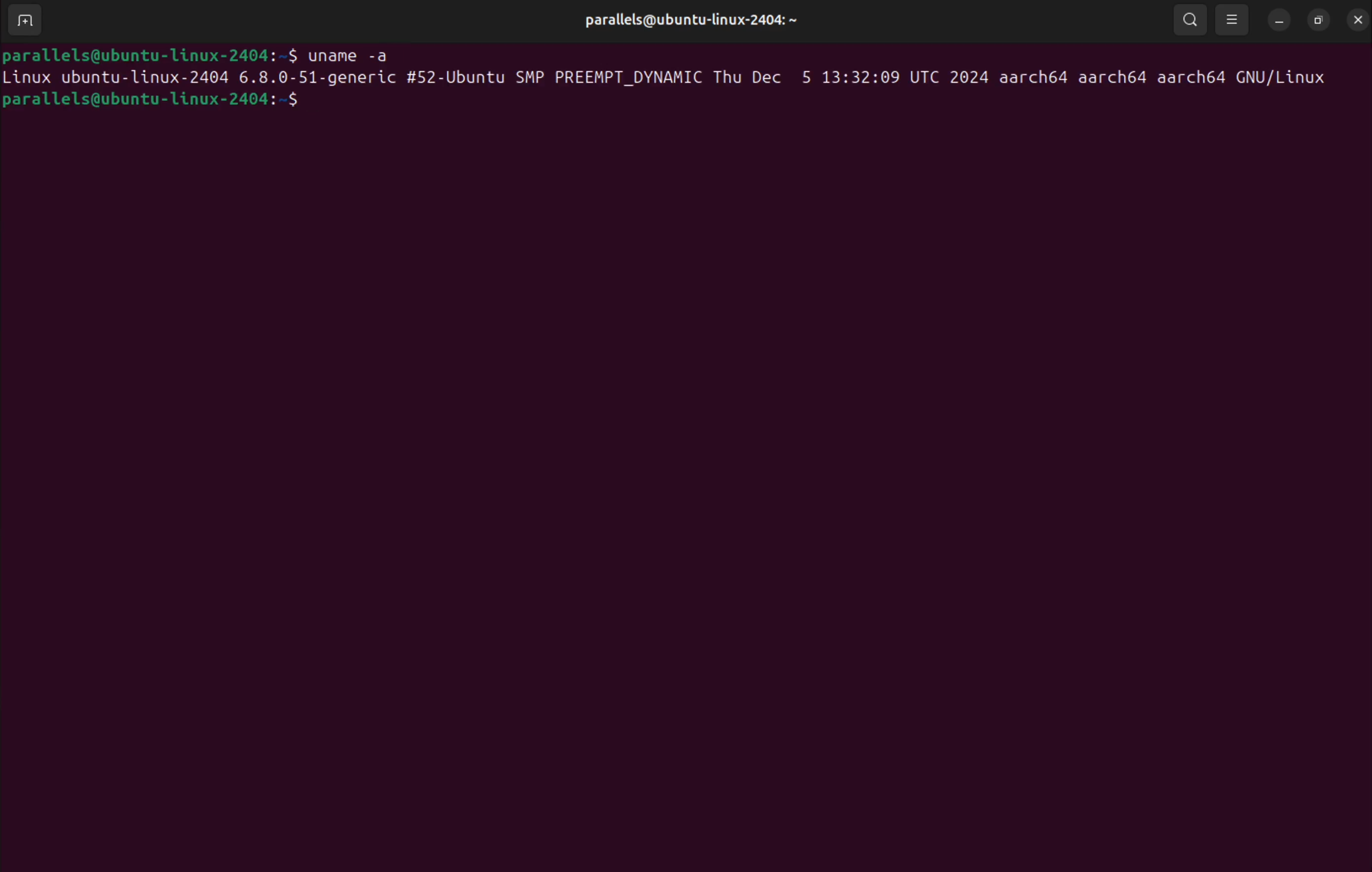 The width and height of the screenshot is (1372, 872). What do you see at coordinates (1320, 19) in the screenshot?
I see `resize` at bounding box center [1320, 19].